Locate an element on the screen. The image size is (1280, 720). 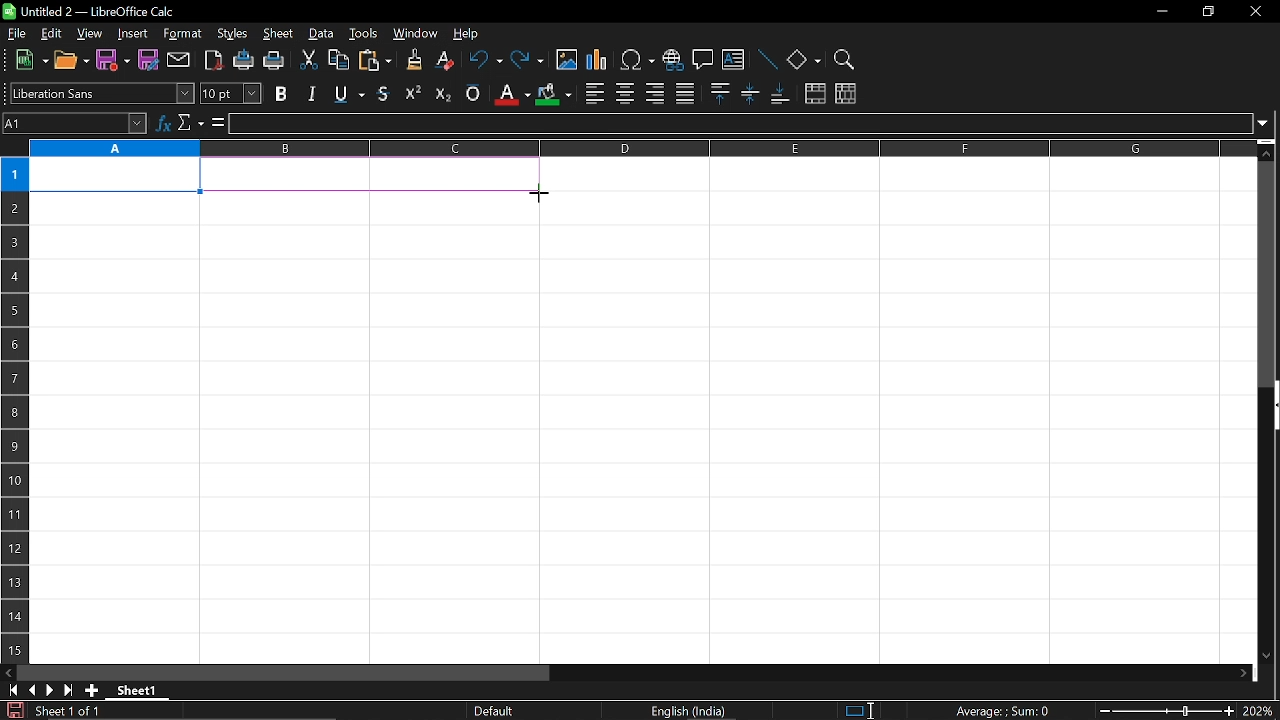
Name box is located at coordinates (75, 124).